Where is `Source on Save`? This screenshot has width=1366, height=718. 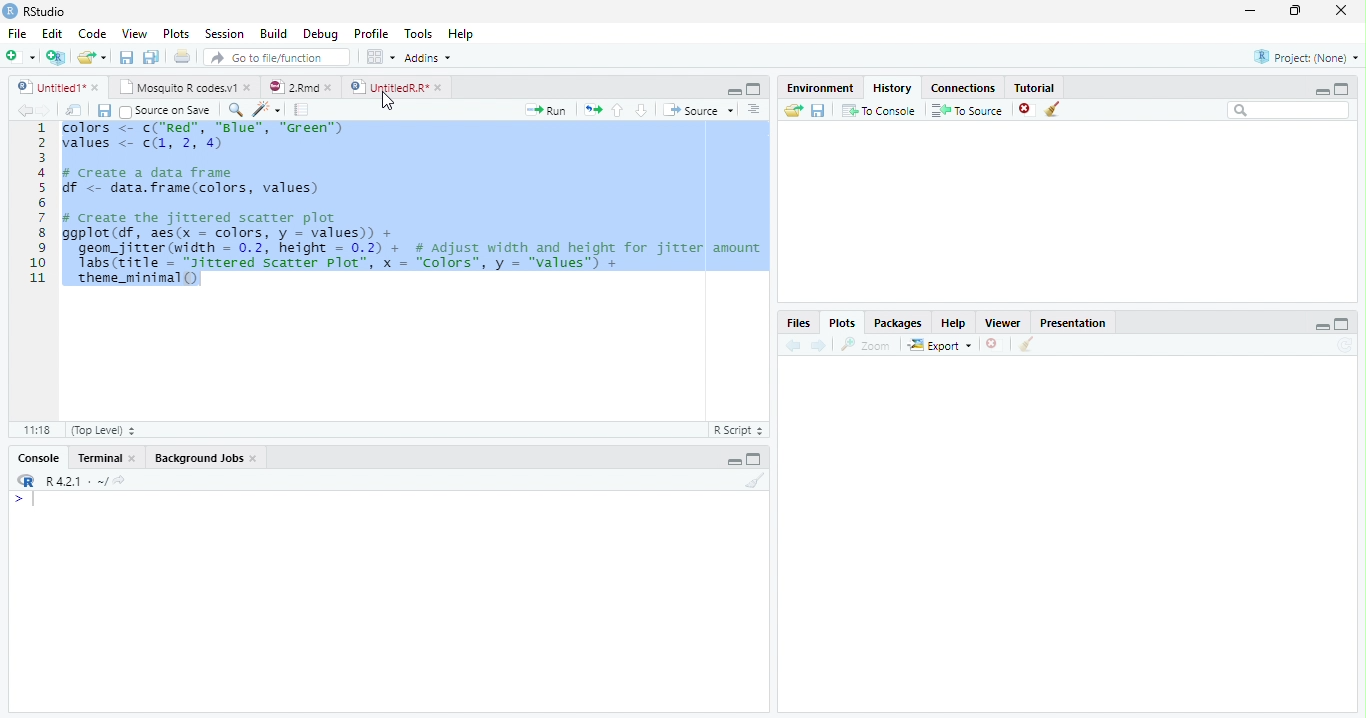 Source on Save is located at coordinates (167, 111).